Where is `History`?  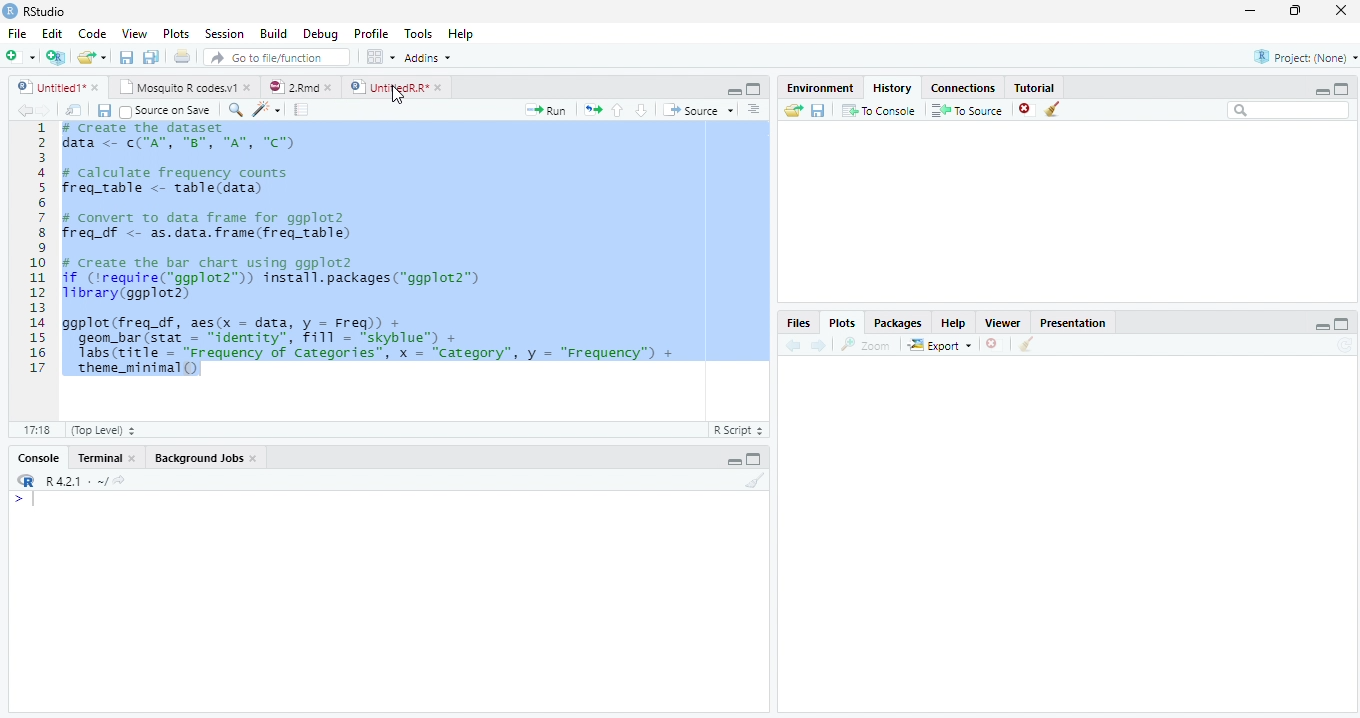 History is located at coordinates (896, 88).